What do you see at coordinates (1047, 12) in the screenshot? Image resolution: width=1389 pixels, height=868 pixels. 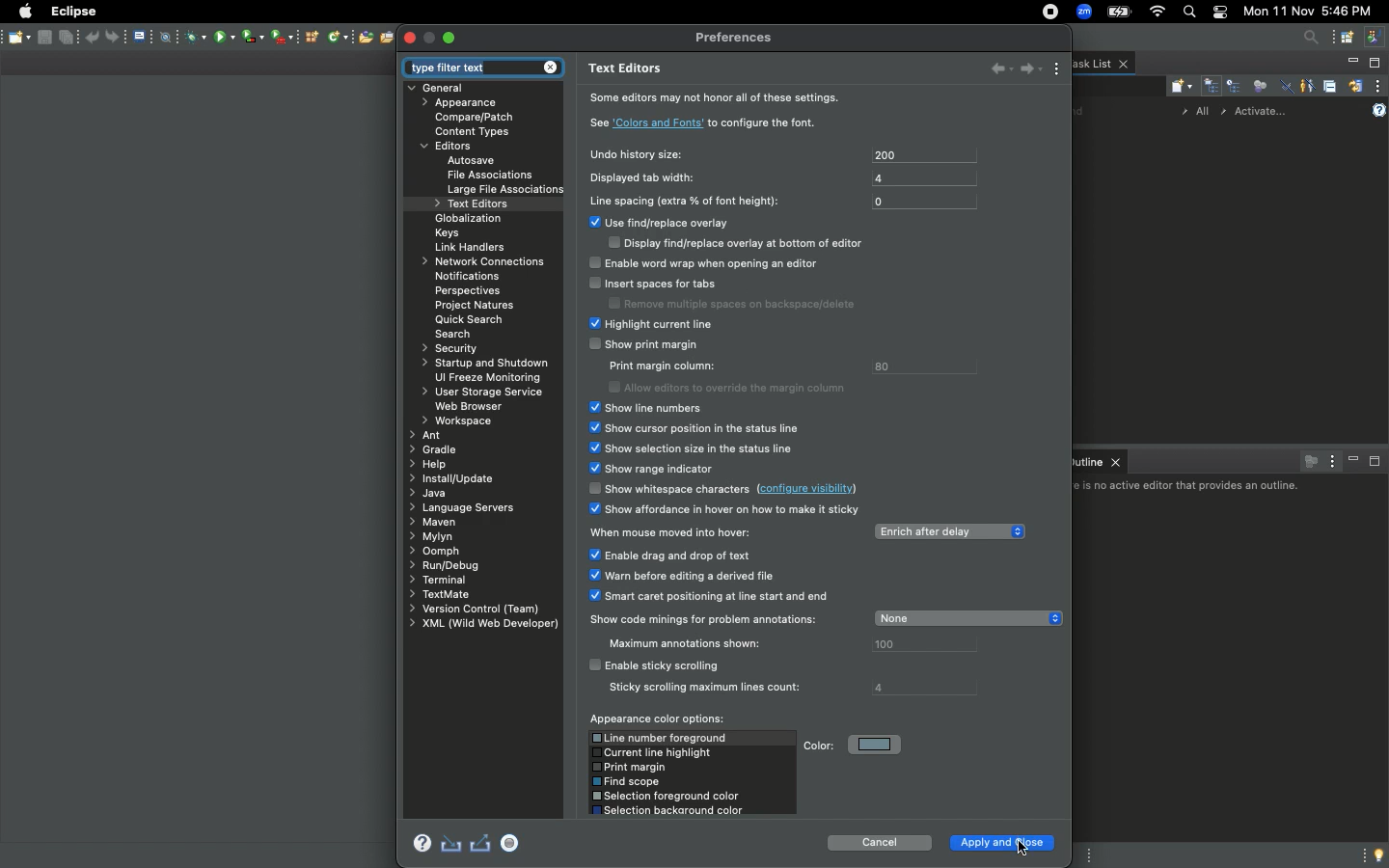 I see `Recording` at bounding box center [1047, 12].